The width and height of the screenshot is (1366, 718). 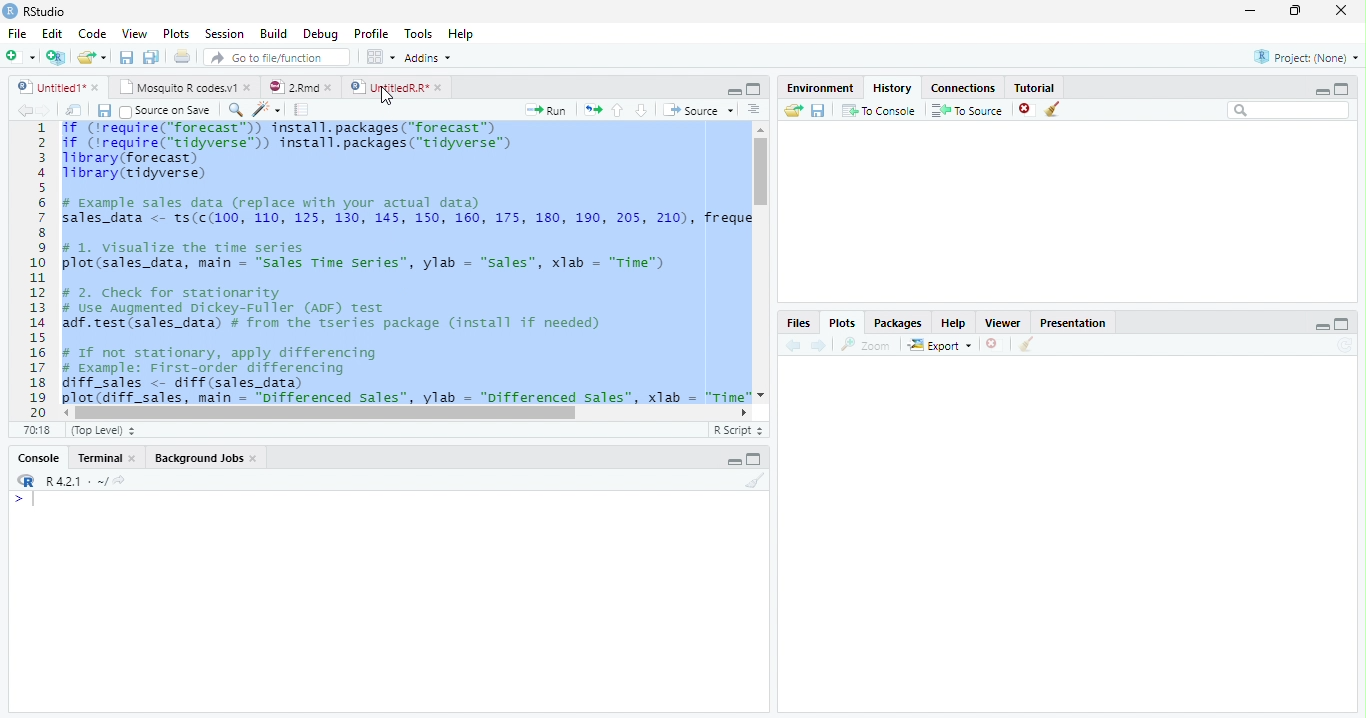 I want to click on Plots, so click(x=175, y=32).